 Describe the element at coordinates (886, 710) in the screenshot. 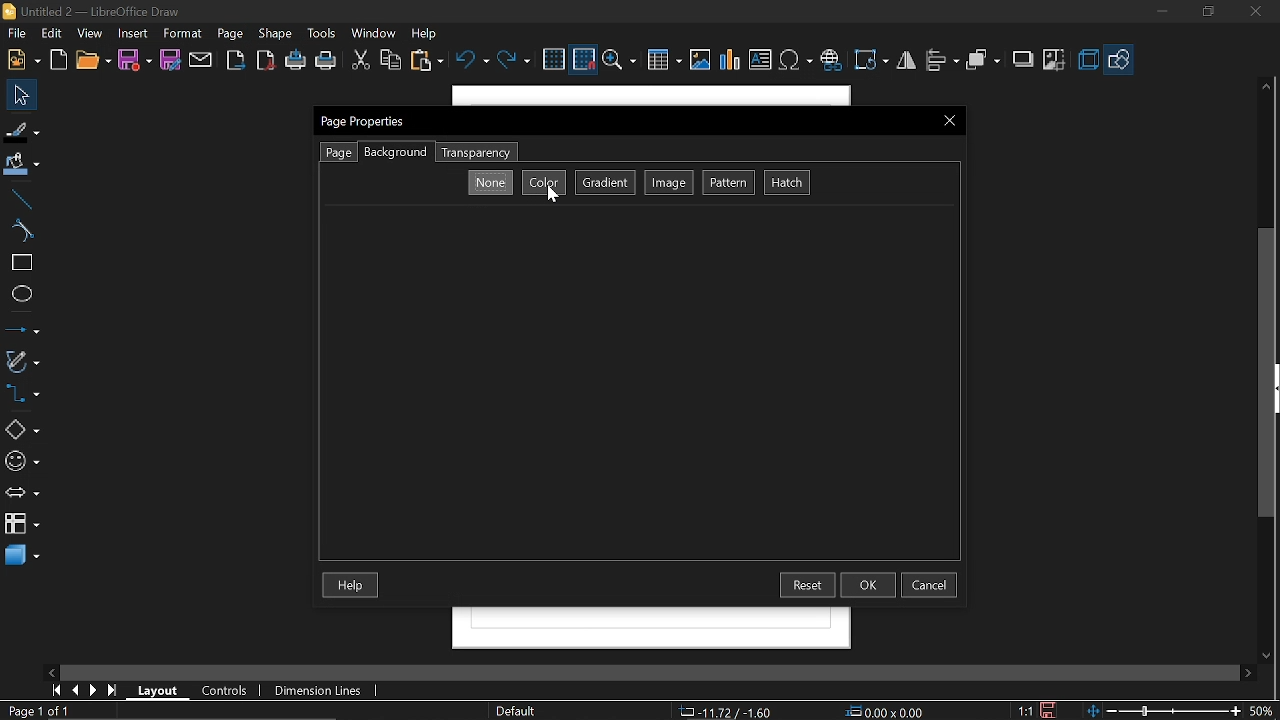

I see `Position` at that location.